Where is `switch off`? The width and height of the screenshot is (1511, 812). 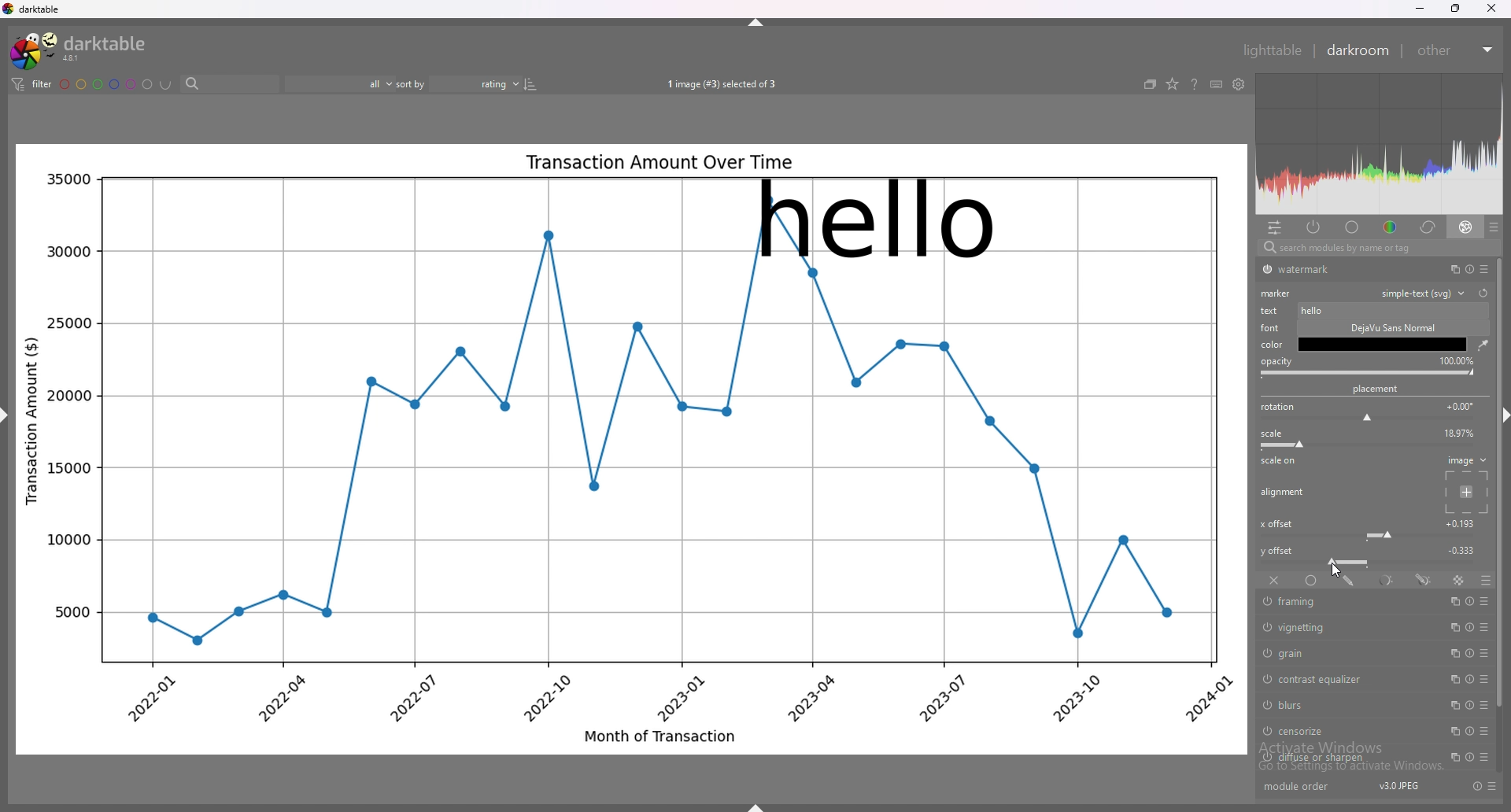 switch off is located at coordinates (1266, 603).